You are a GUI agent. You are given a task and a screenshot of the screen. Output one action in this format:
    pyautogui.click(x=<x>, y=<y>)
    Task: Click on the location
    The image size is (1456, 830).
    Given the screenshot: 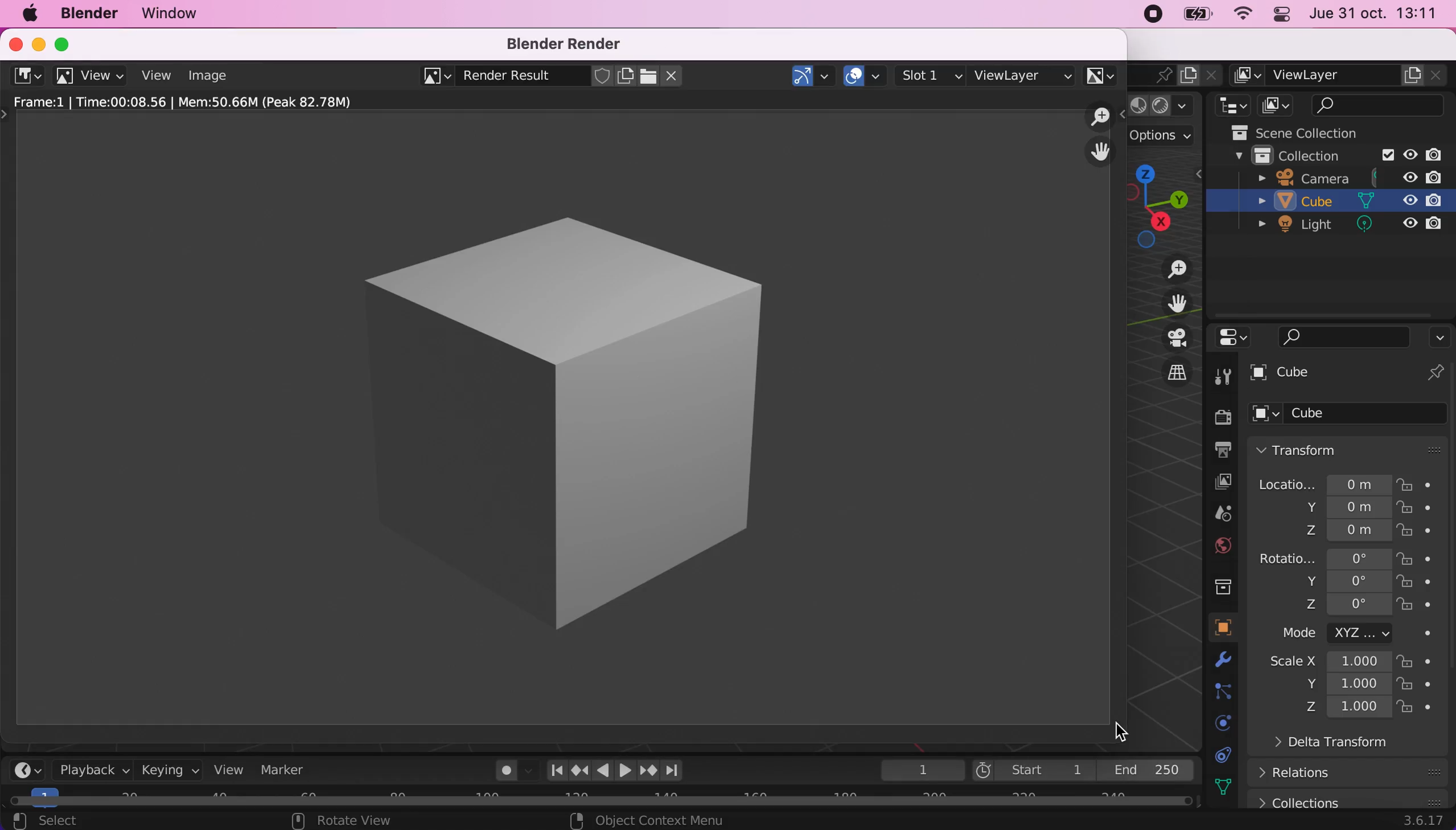 What is the action you would take?
    pyautogui.click(x=1324, y=481)
    